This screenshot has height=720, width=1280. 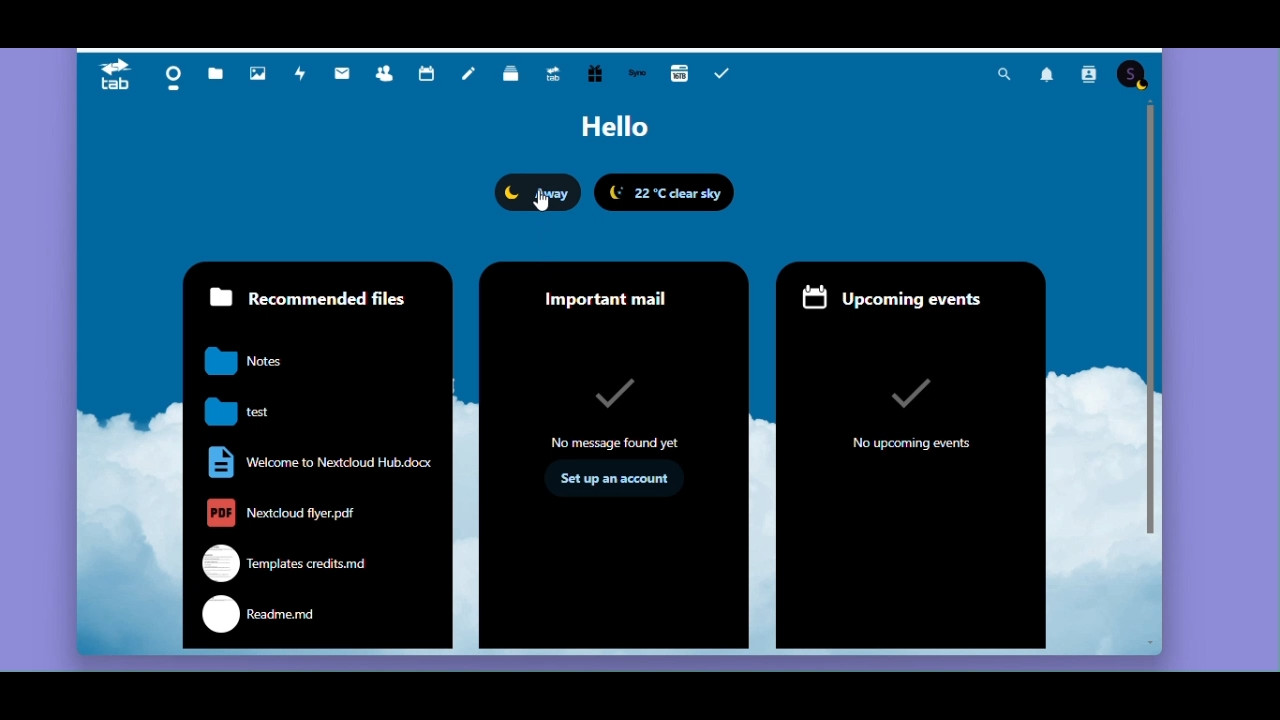 I want to click on Cursor, so click(x=541, y=200).